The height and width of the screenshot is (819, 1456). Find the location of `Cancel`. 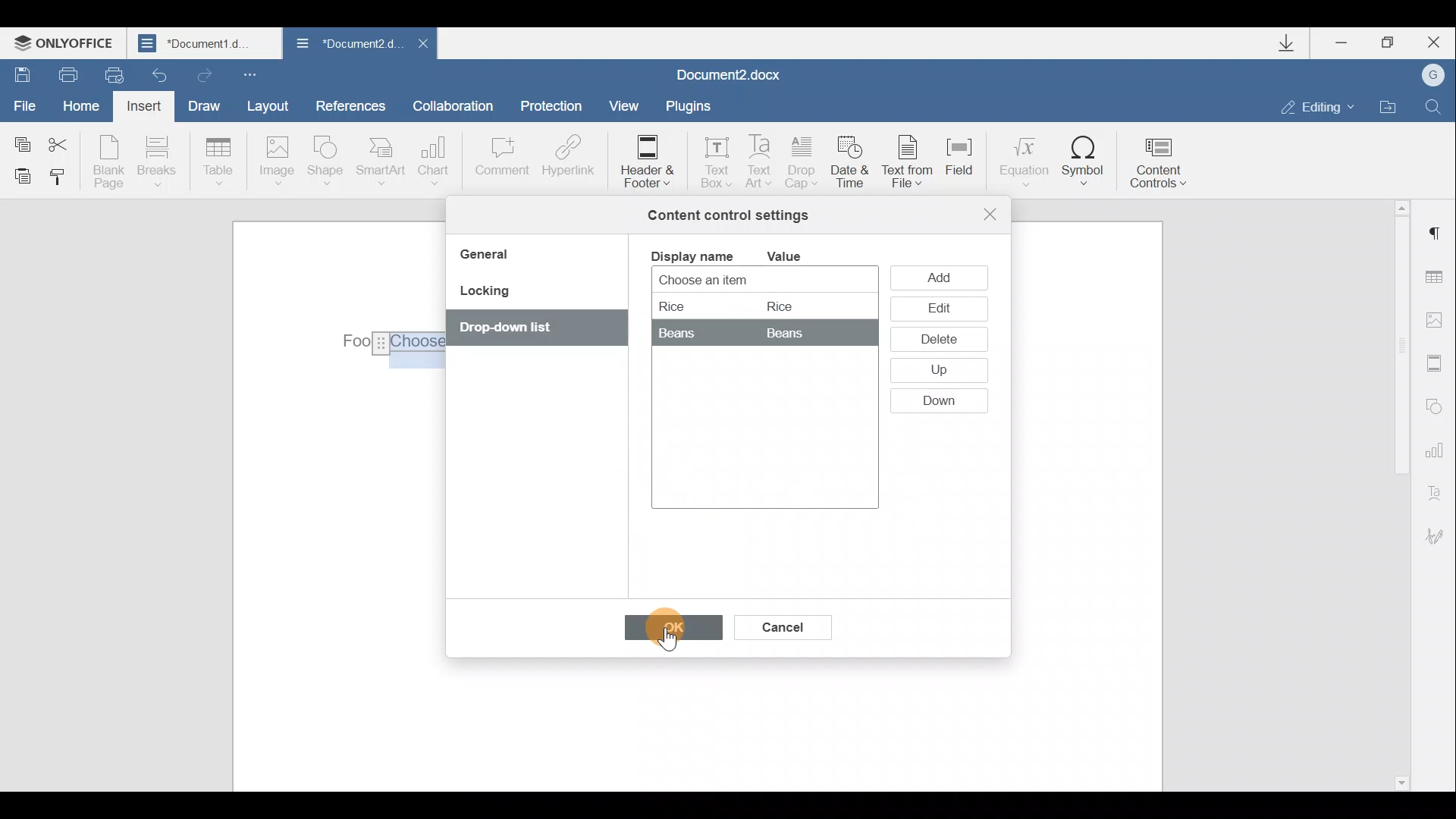

Cancel is located at coordinates (781, 624).